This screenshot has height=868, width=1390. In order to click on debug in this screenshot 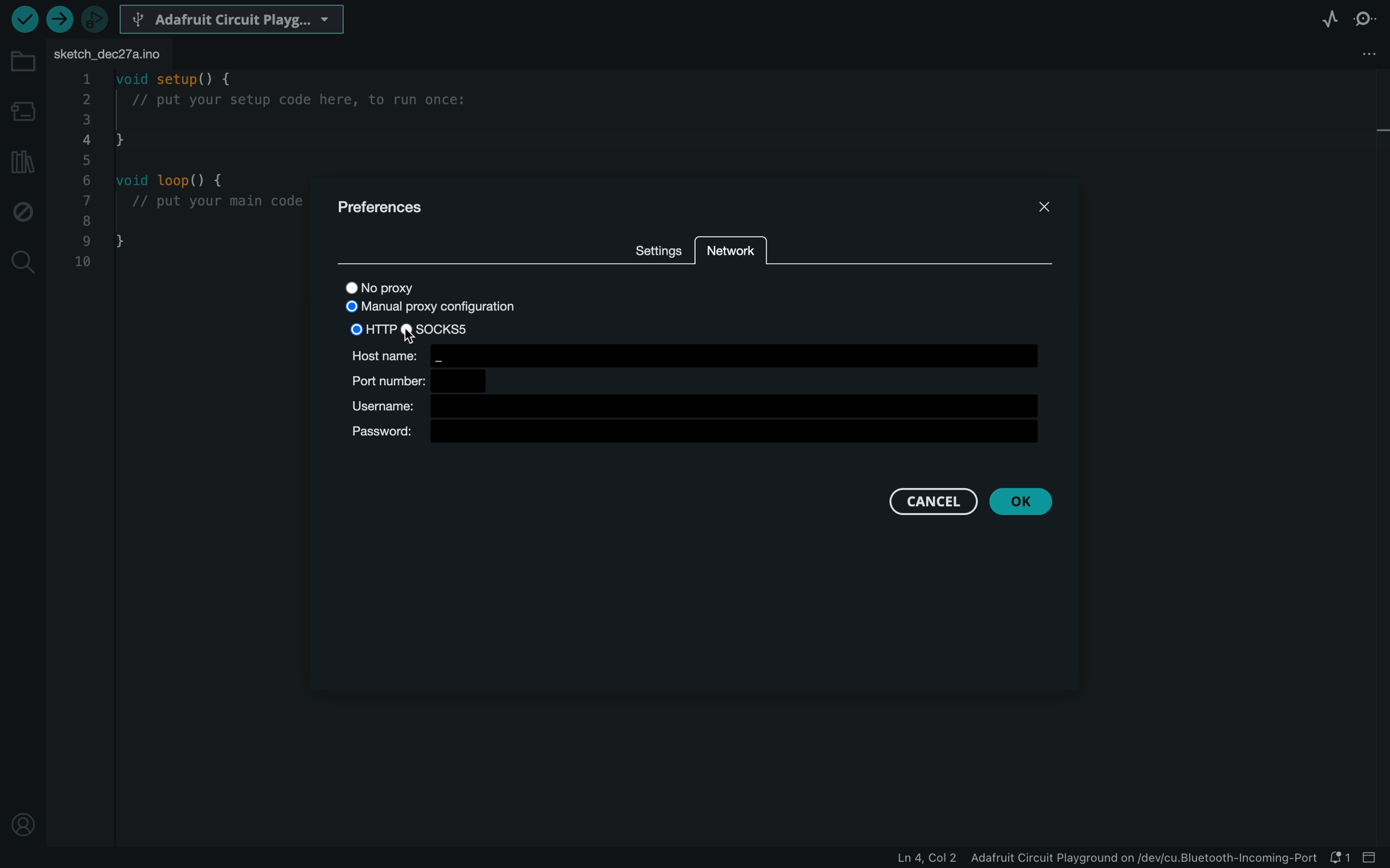, I will do `click(23, 208)`.